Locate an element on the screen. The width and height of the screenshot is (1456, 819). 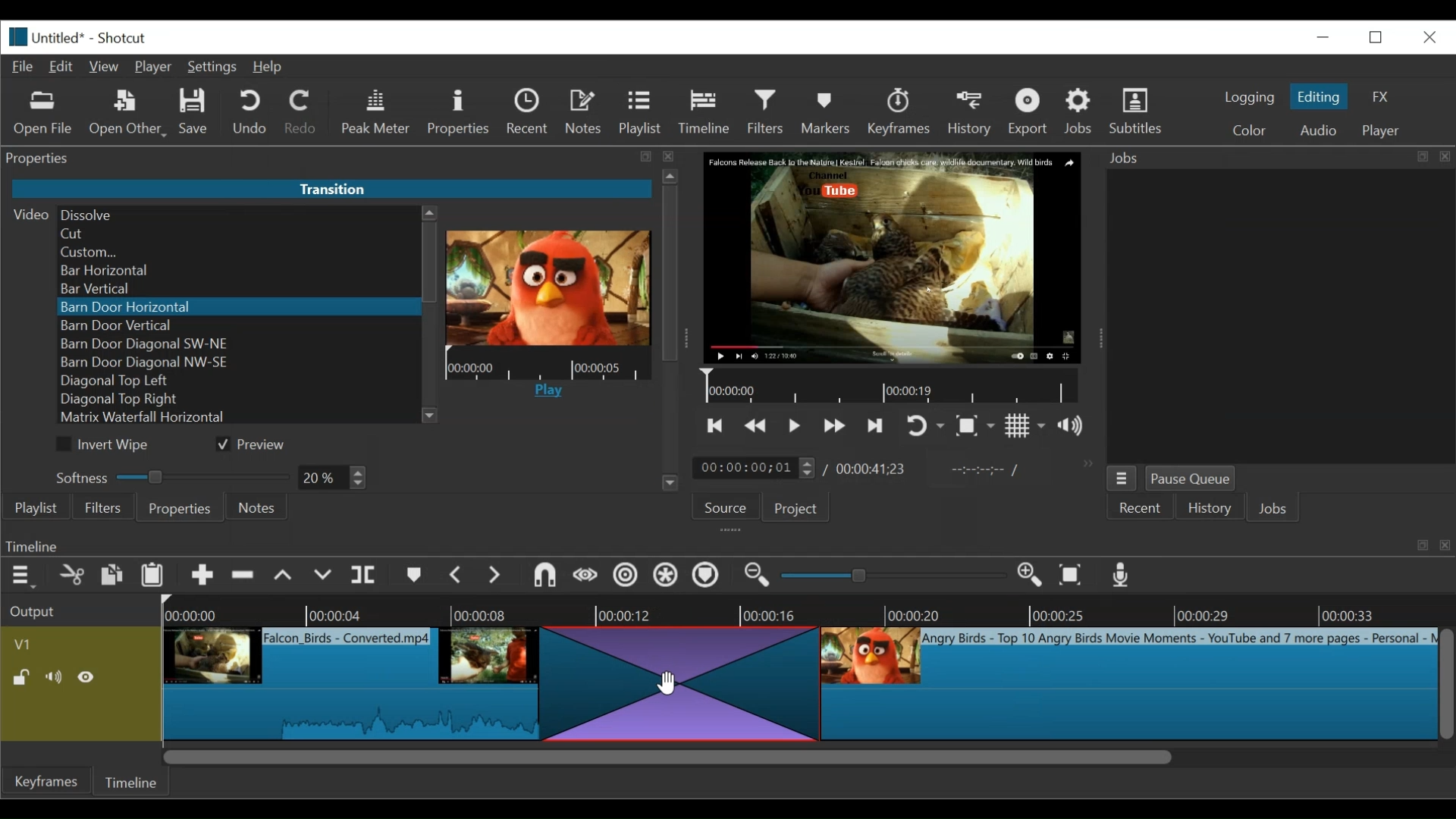
minimize is located at coordinates (1322, 38).